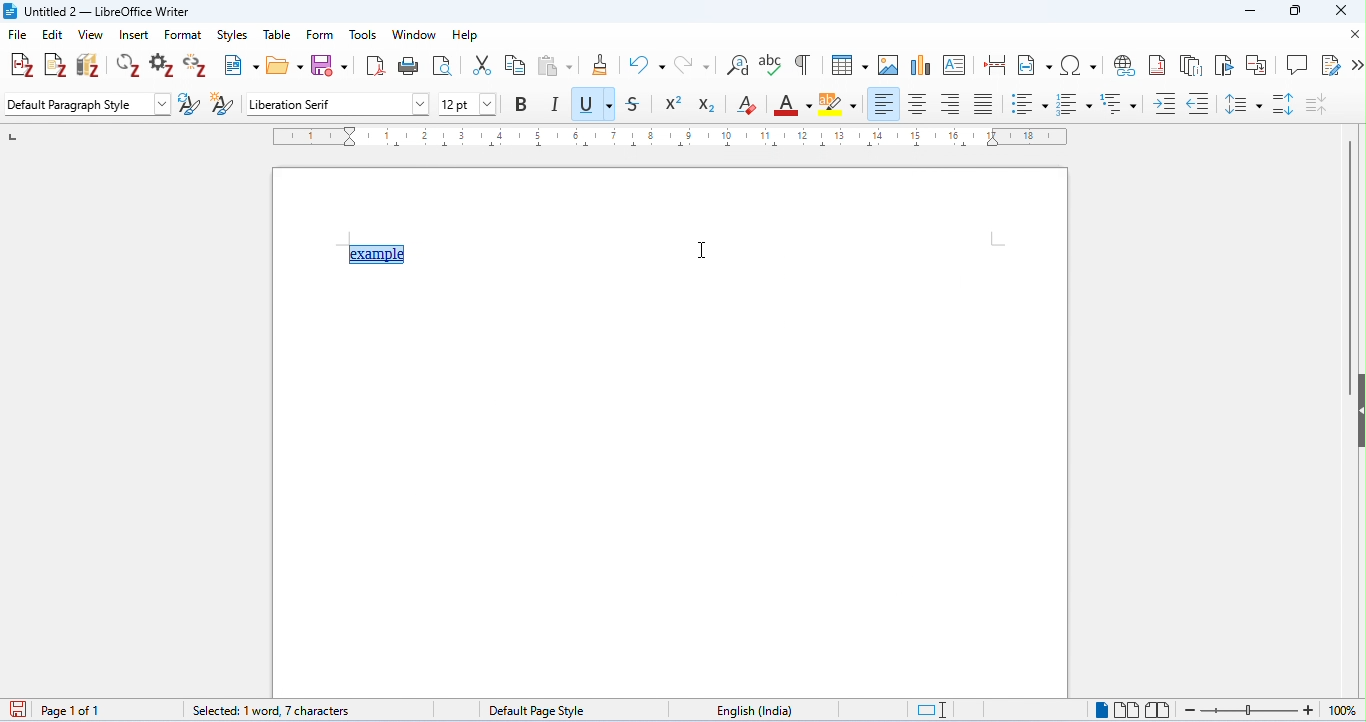 The height and width of the screenshot is (722, 1366). What do you see at coordinates (516, 65) in the screenshot?
I see `copy` at bounding box center [516, 65].